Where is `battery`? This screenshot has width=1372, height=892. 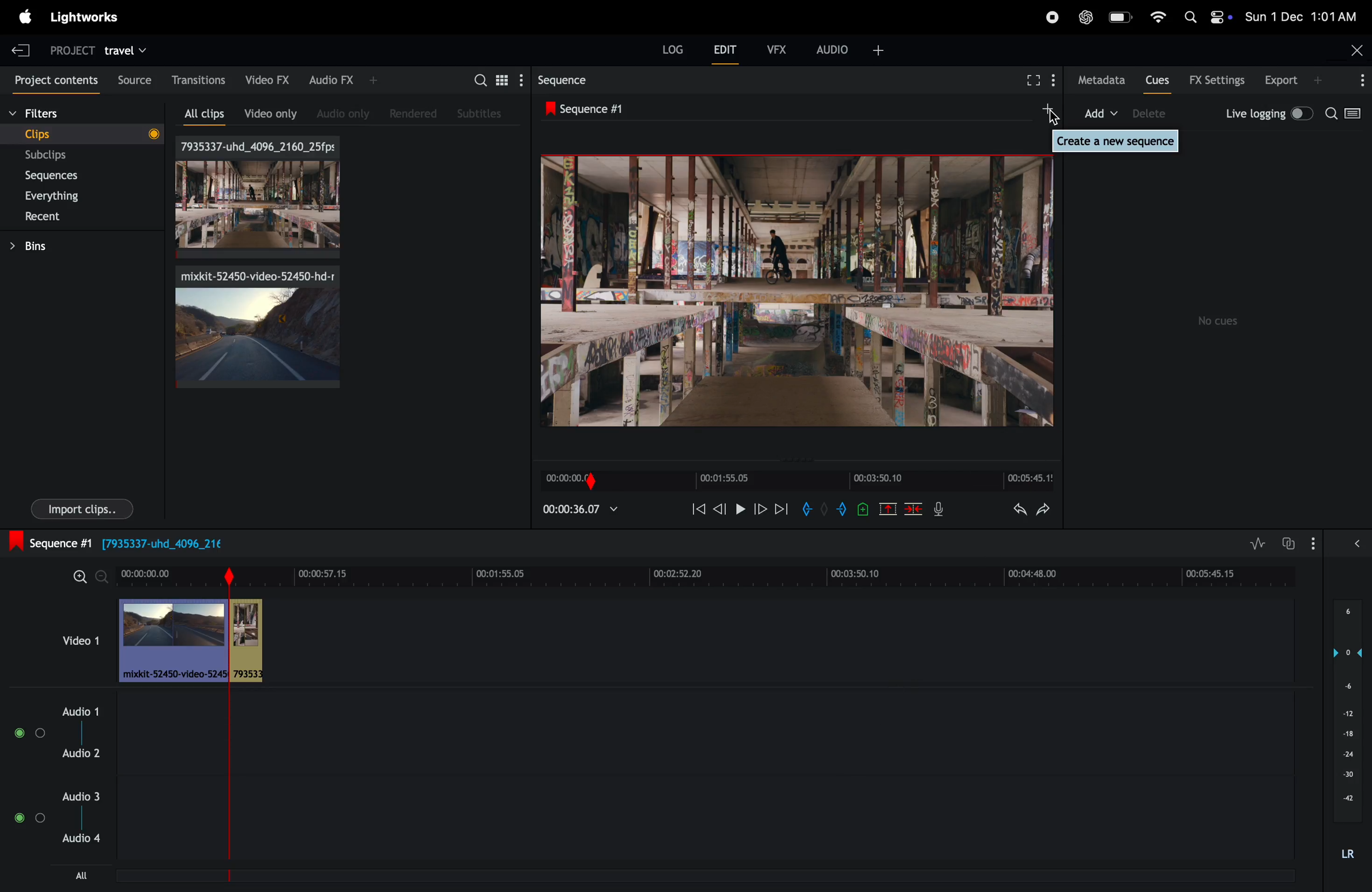 battery is located at coordinates (1120, 17).